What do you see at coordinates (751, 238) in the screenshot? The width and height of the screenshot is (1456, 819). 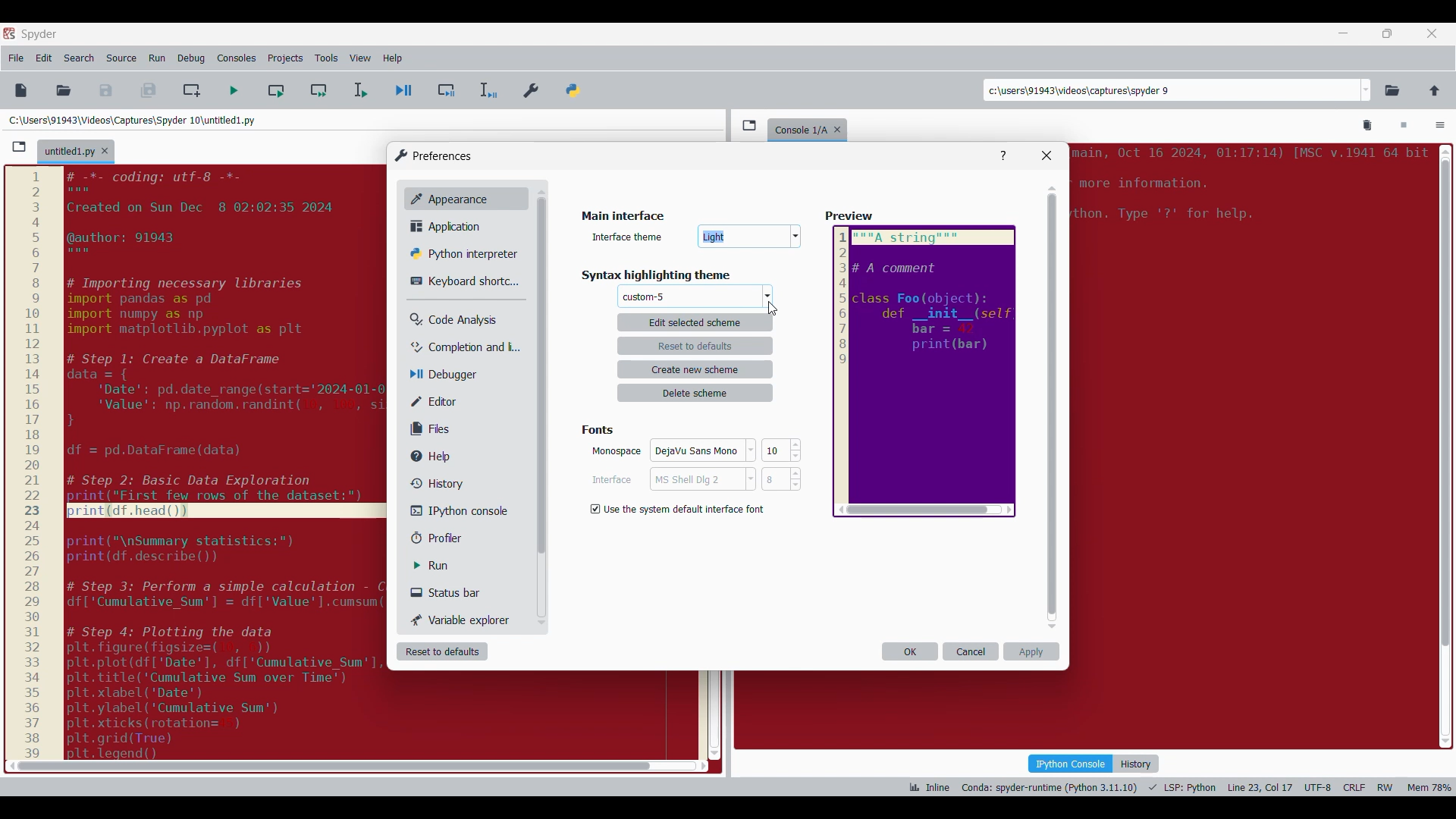 I see `` at bounding box center [751, 238].